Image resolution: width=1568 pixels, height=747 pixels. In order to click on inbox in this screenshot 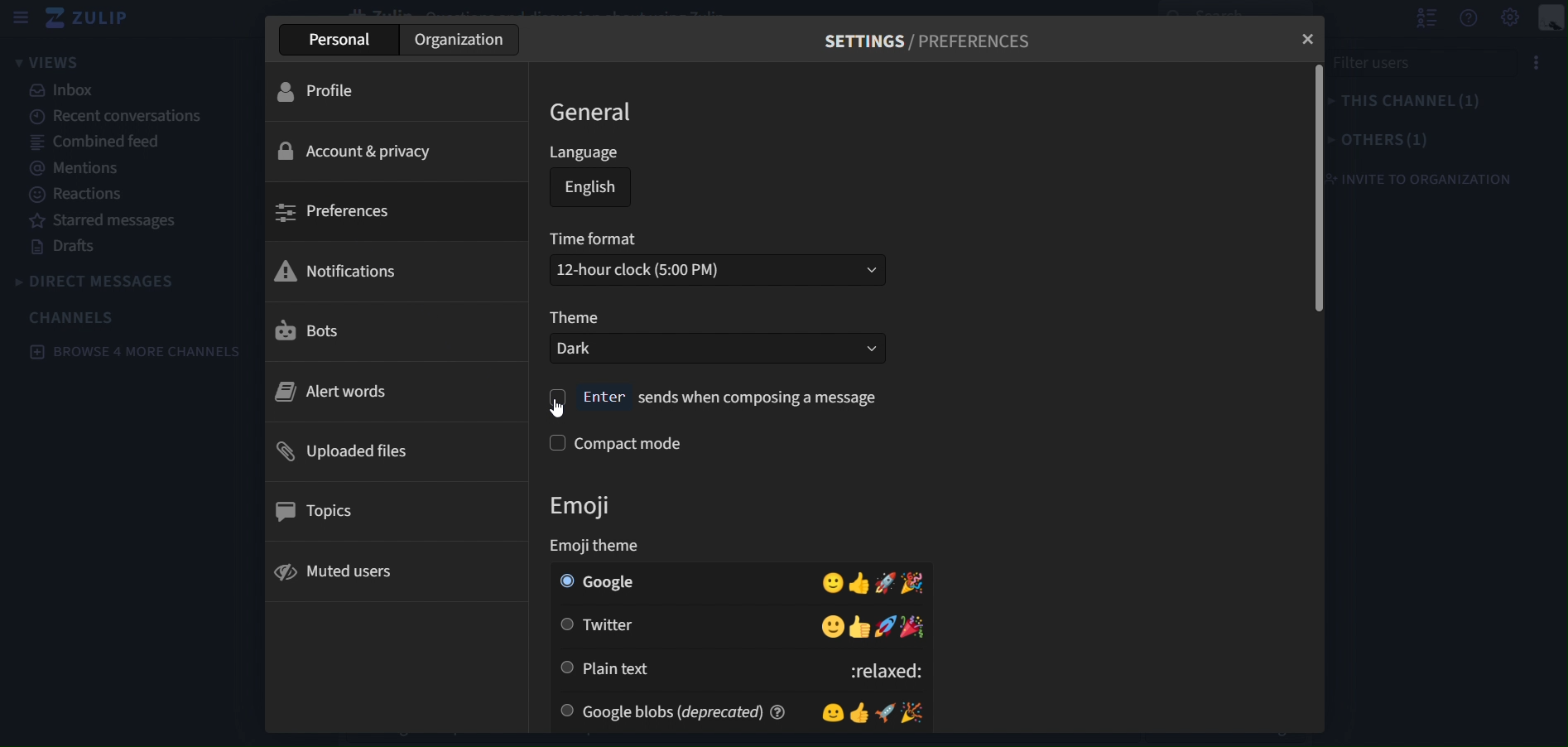, I will do `click(69, 91)`.